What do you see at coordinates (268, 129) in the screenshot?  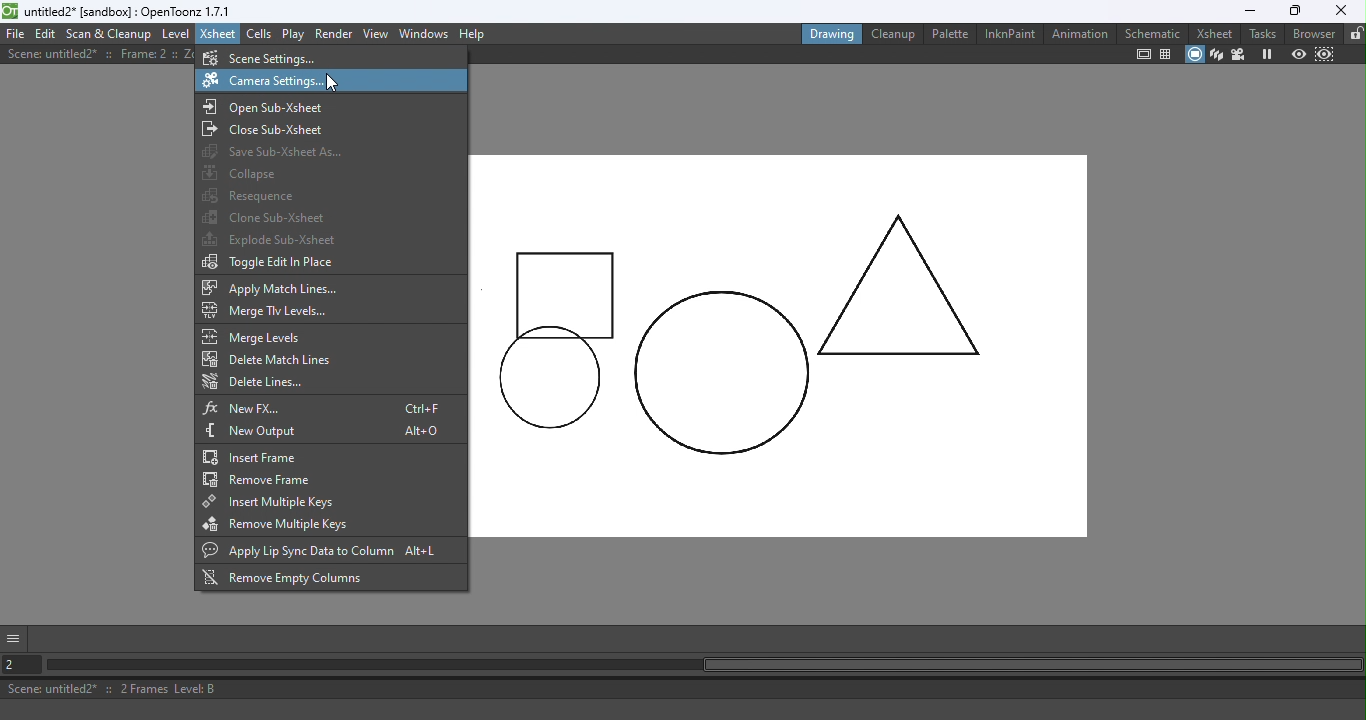 I see `Close sub-sheet` at bounding box center [268, 129].